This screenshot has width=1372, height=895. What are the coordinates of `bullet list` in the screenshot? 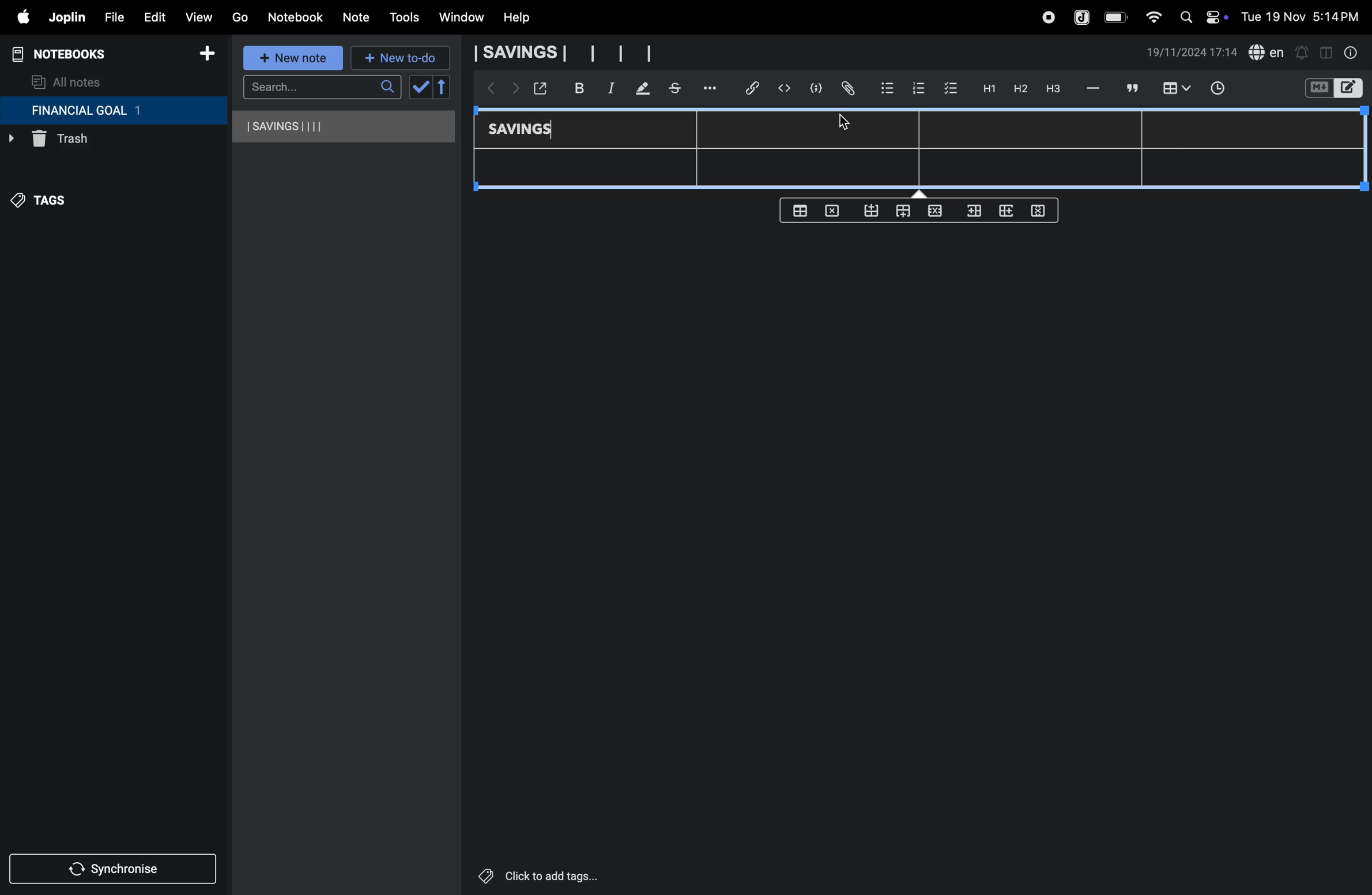 It's located at (887, 87).